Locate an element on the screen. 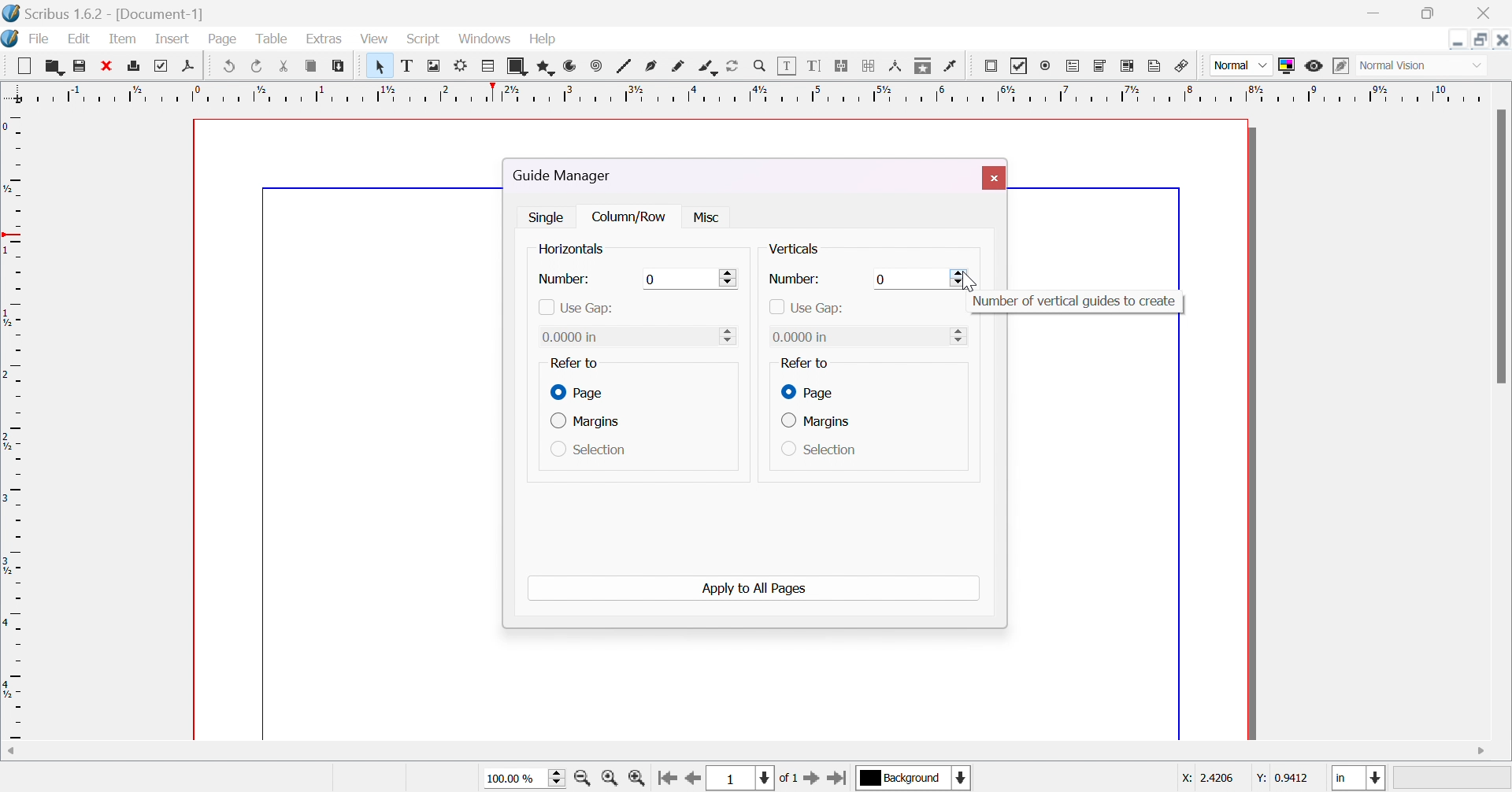 This screenshot has height=792, width=1512. unlink text frames is located at coordinates (869, 66).